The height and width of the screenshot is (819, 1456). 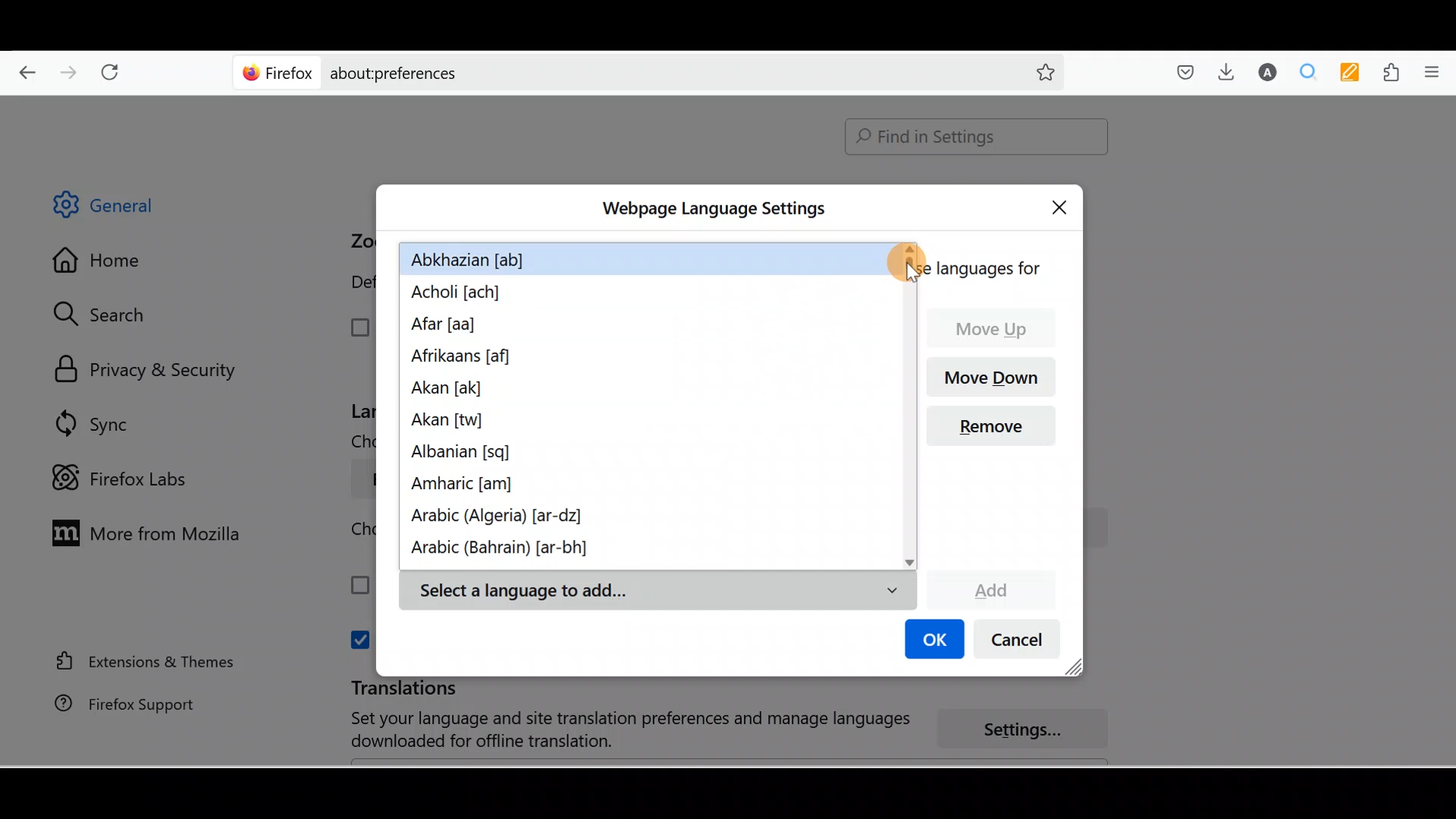 I want to click on Reload current page, so click(x=115, y=69).